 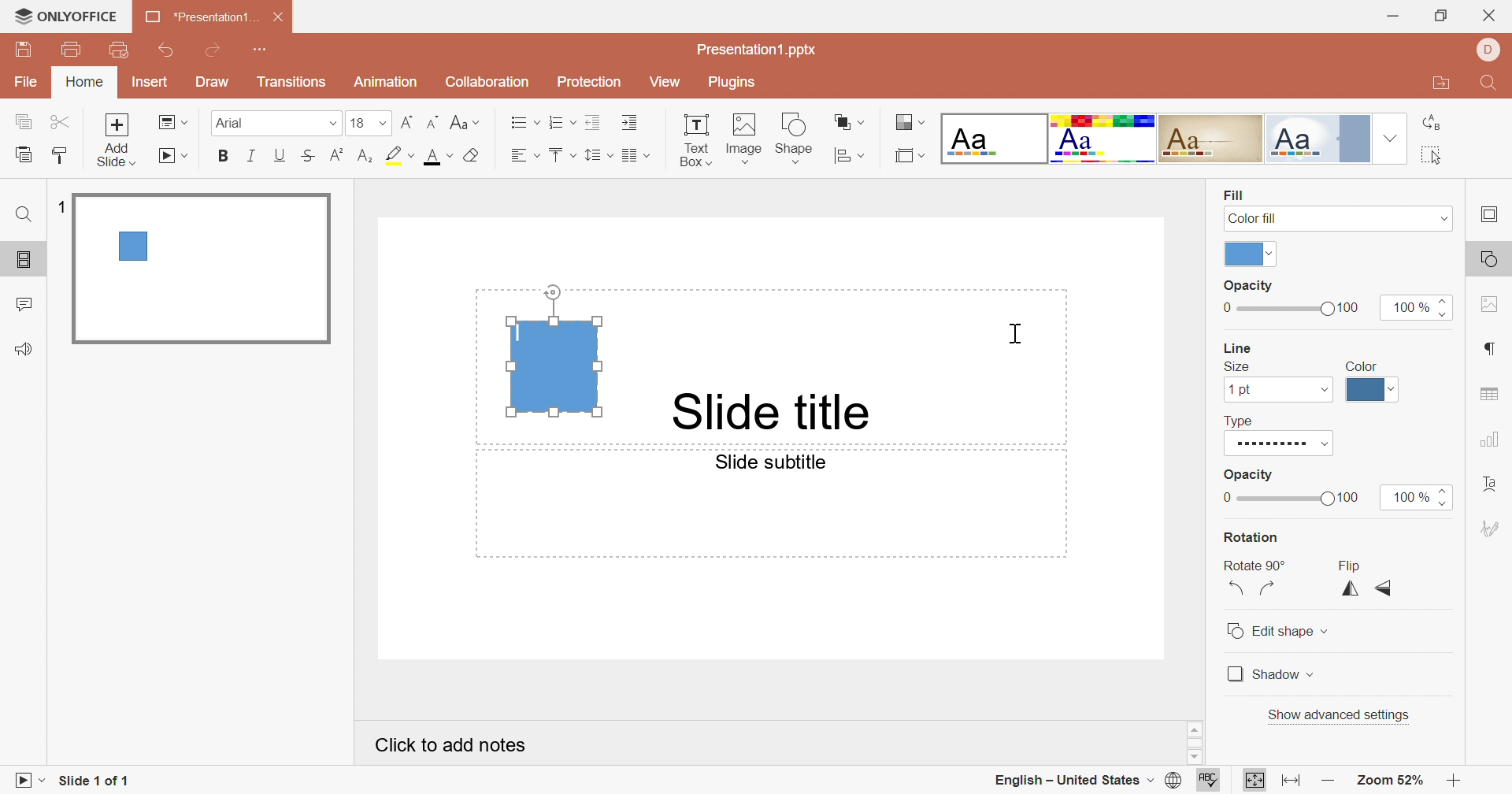 What do you see at coordinates (31, 782) in the screenshot?
I see `Start slideshow` at bounding box center [31, 782].